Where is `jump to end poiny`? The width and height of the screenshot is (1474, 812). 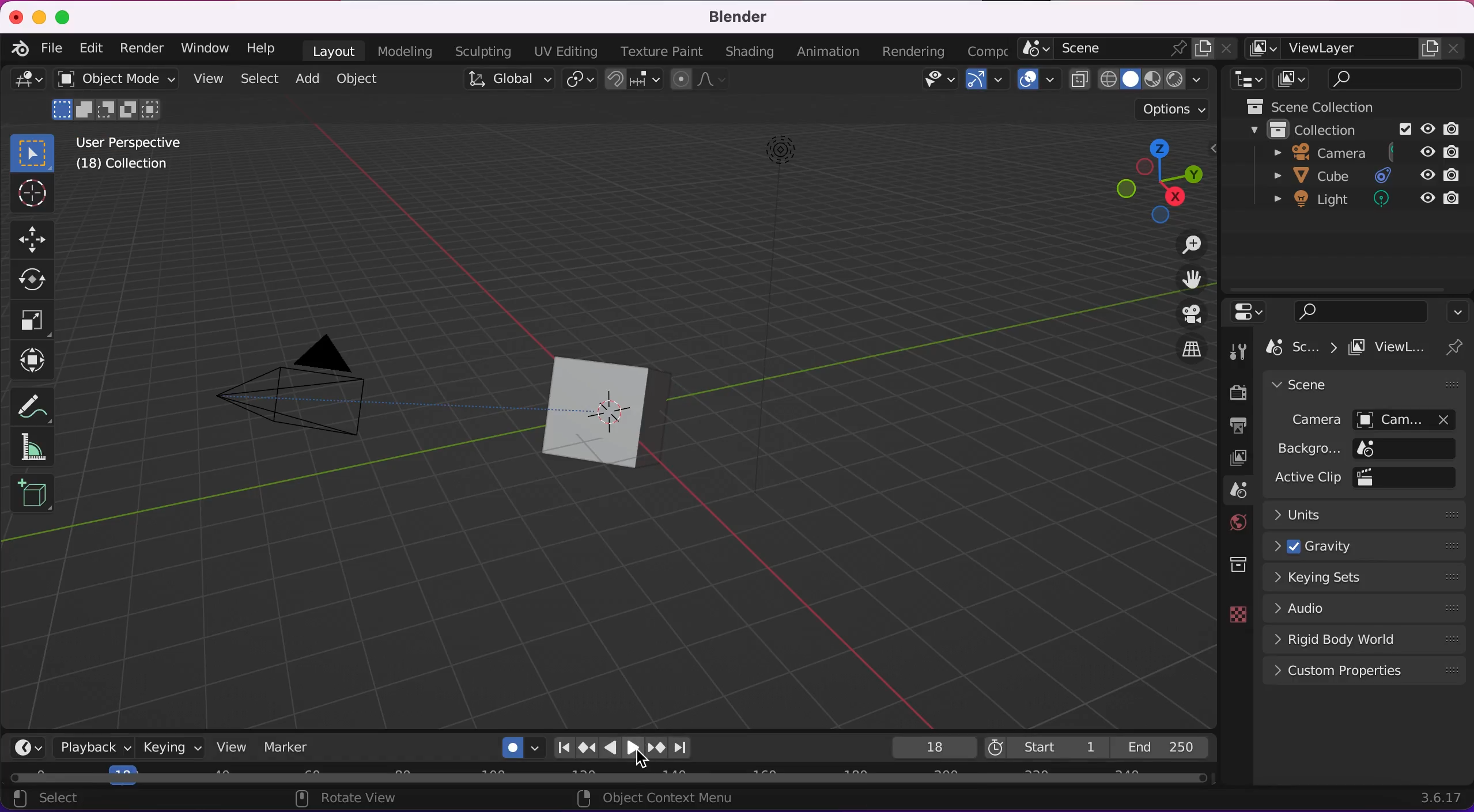 jump to end poiny is located at coordinates (687, 748).